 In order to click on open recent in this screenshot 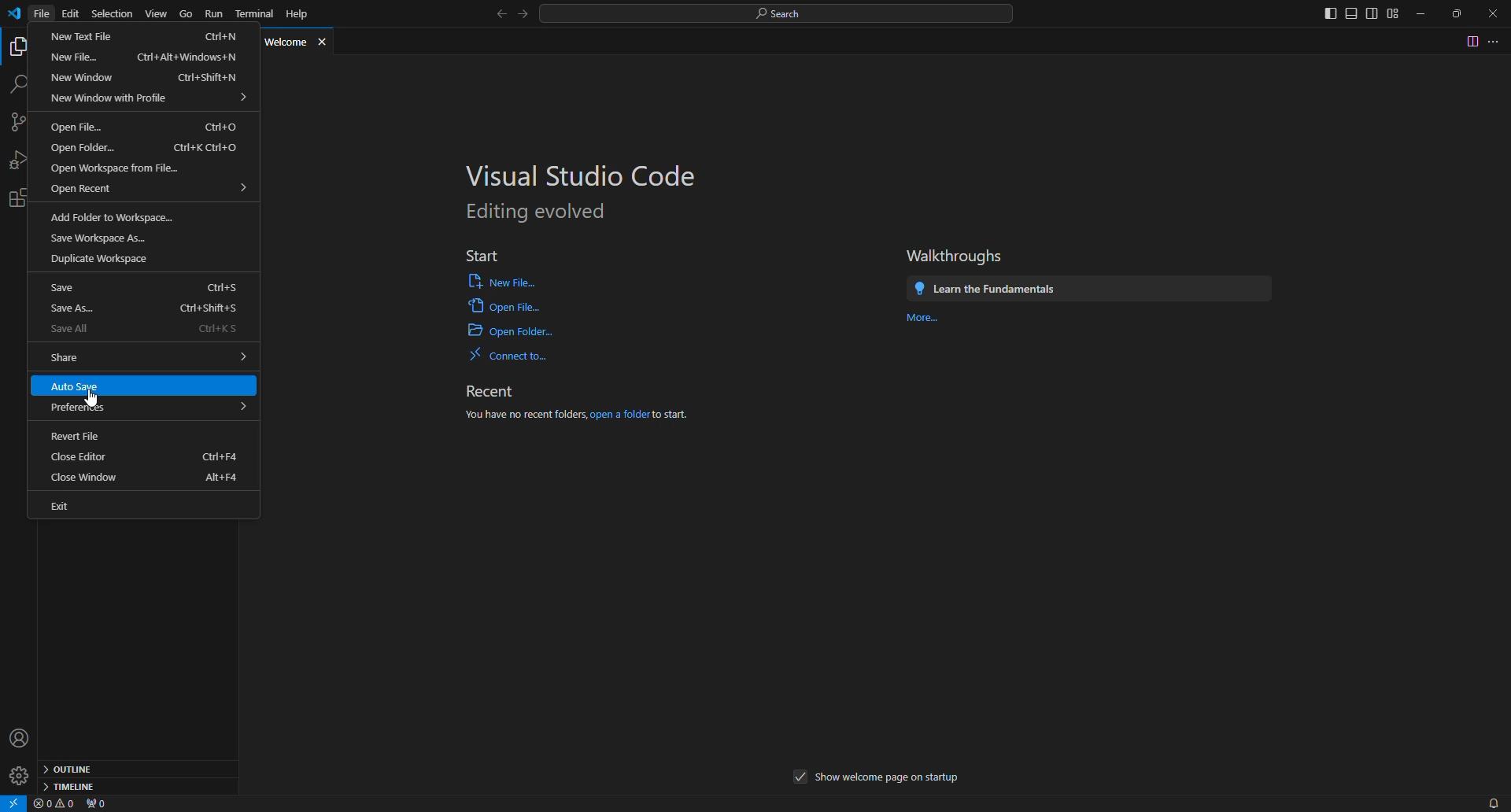, I will do `click(117, 188)`.